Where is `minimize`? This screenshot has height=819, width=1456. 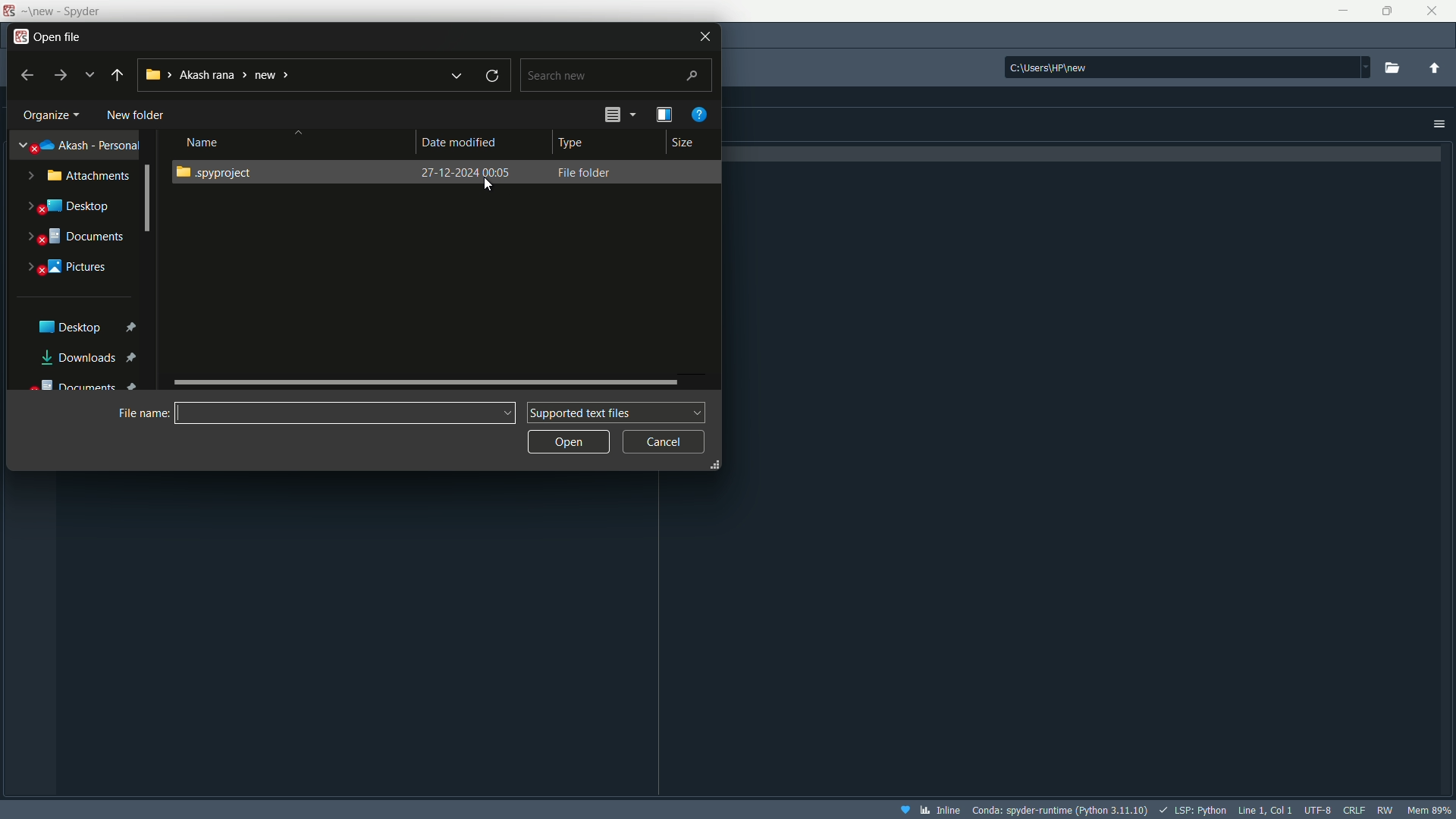 minimize is located at coordinates (1341, 11).